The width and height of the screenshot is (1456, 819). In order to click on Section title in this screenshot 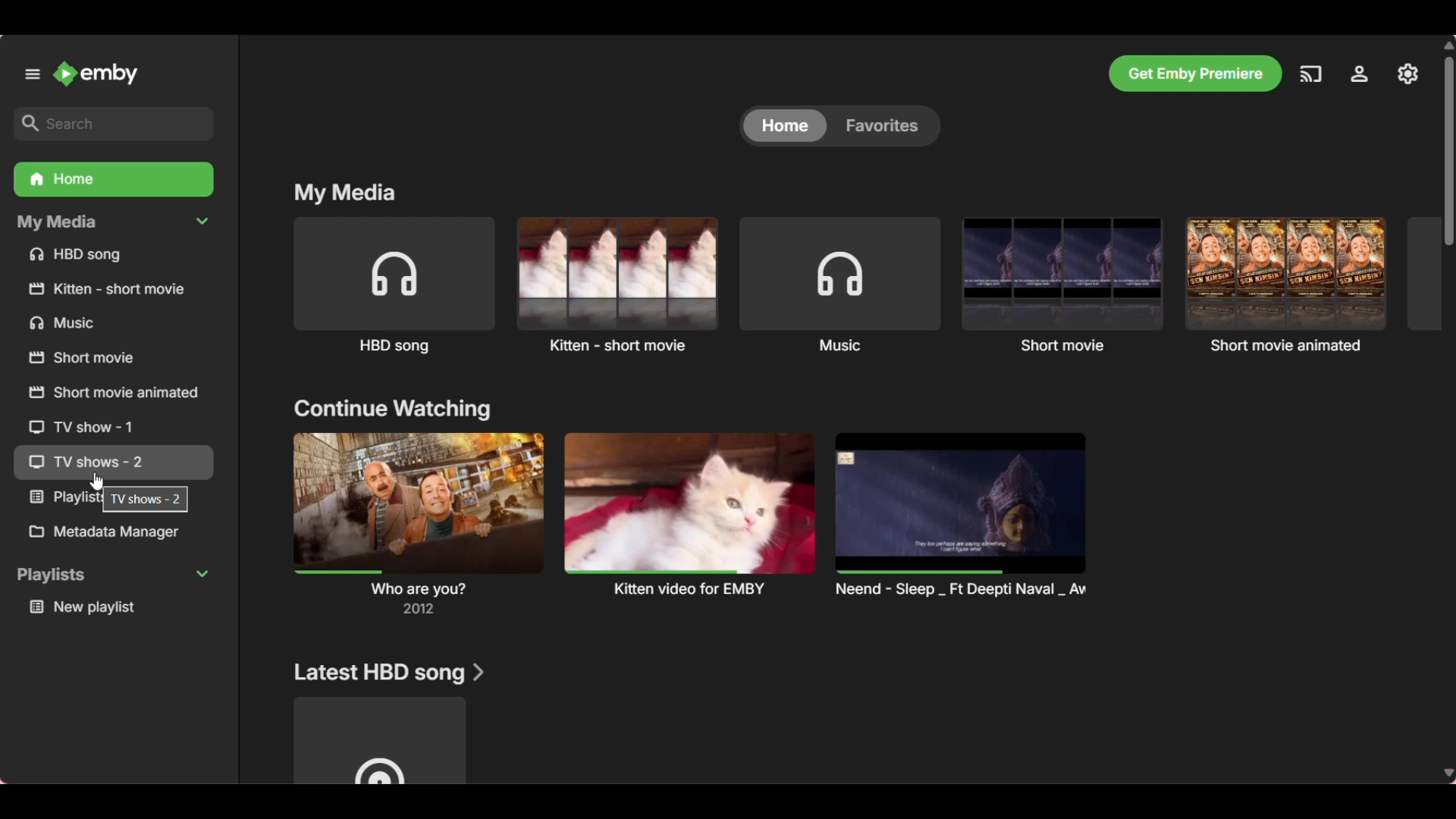, I will do `click(391, 410)`.